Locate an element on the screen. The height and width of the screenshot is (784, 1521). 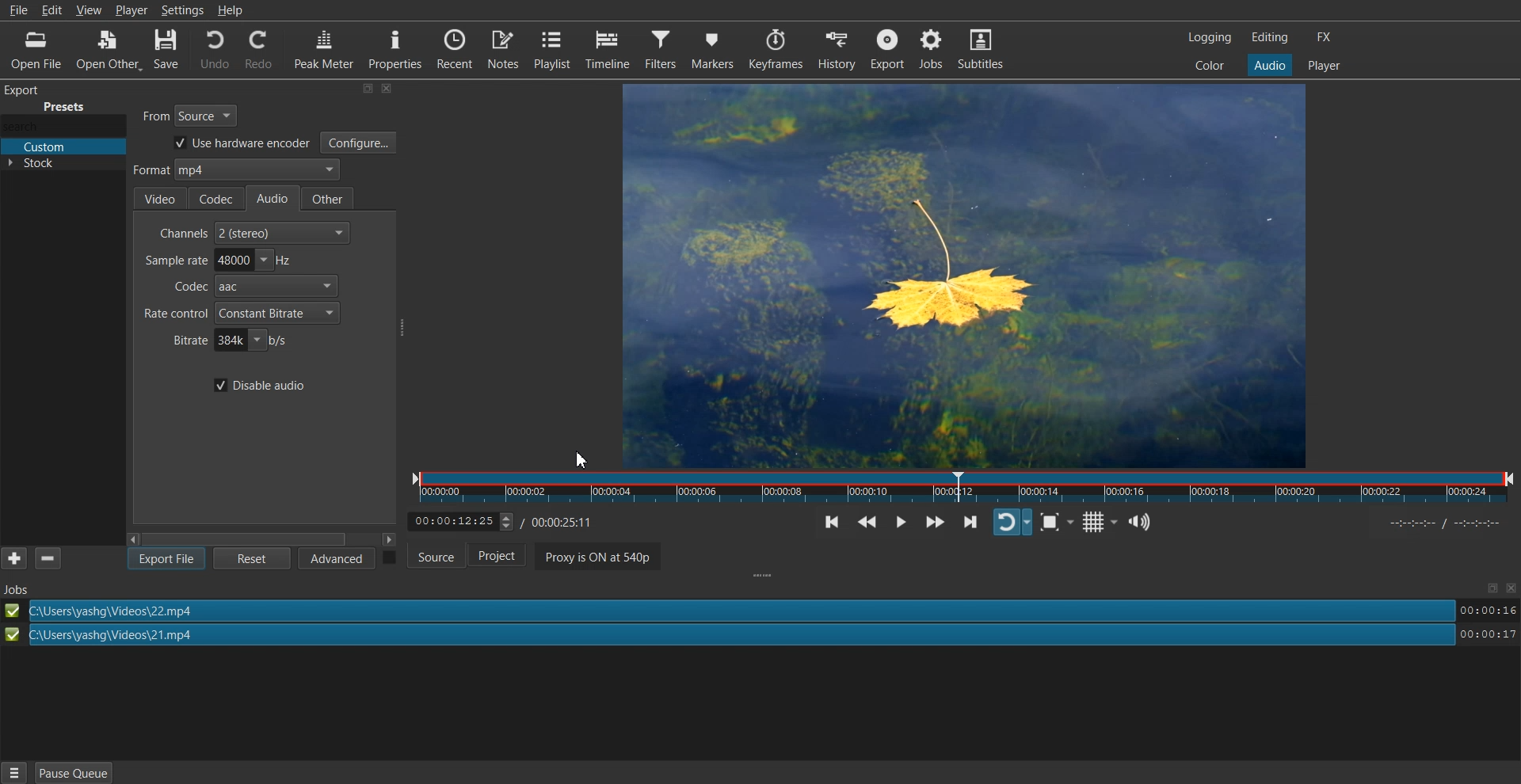
Reset is located at coordinates (250, 559).